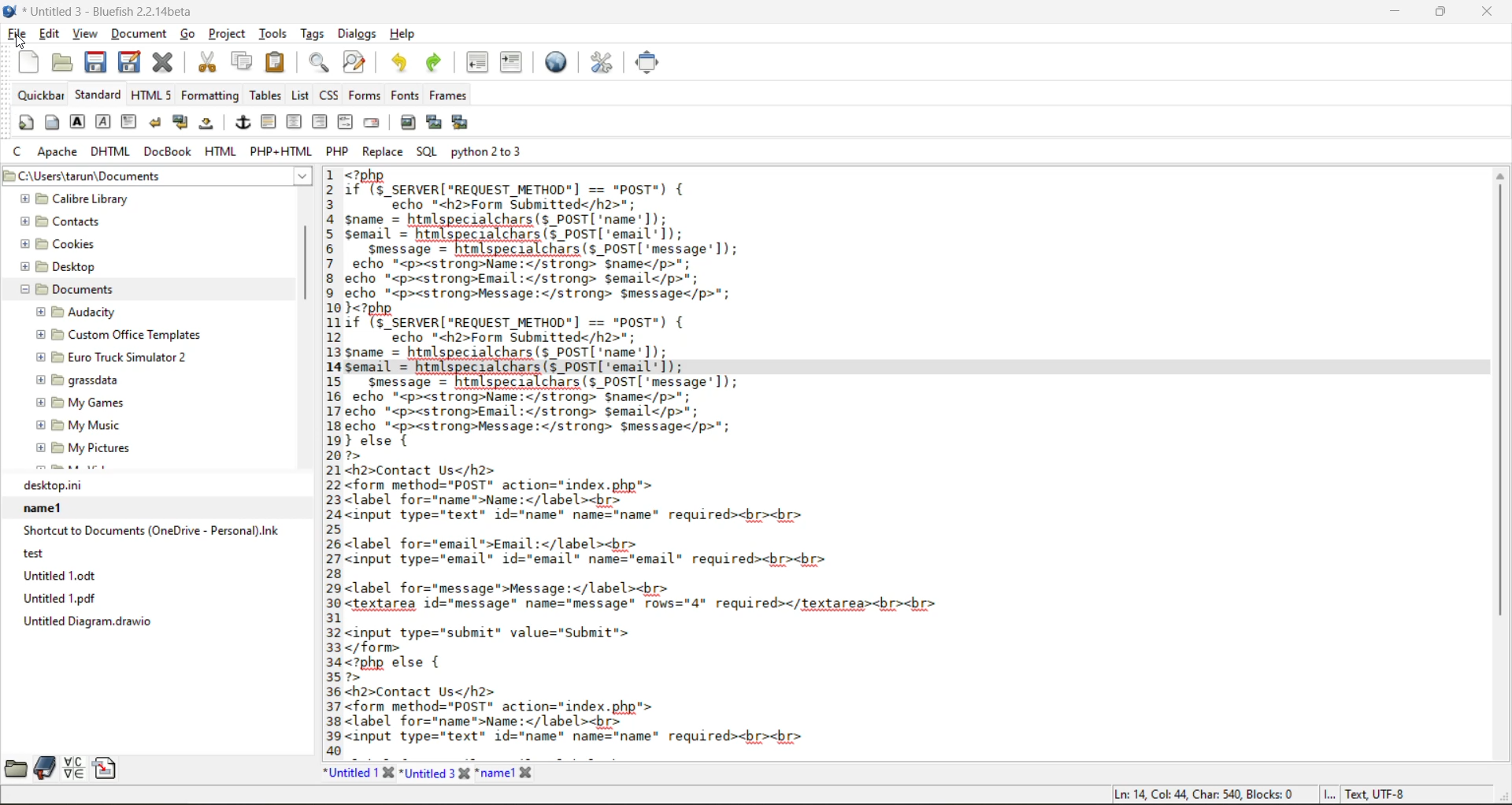 The image size is (1512, 805). Describe the element at coordinates (209, 127) in the screenshot. I see `non breaking space` at that location.